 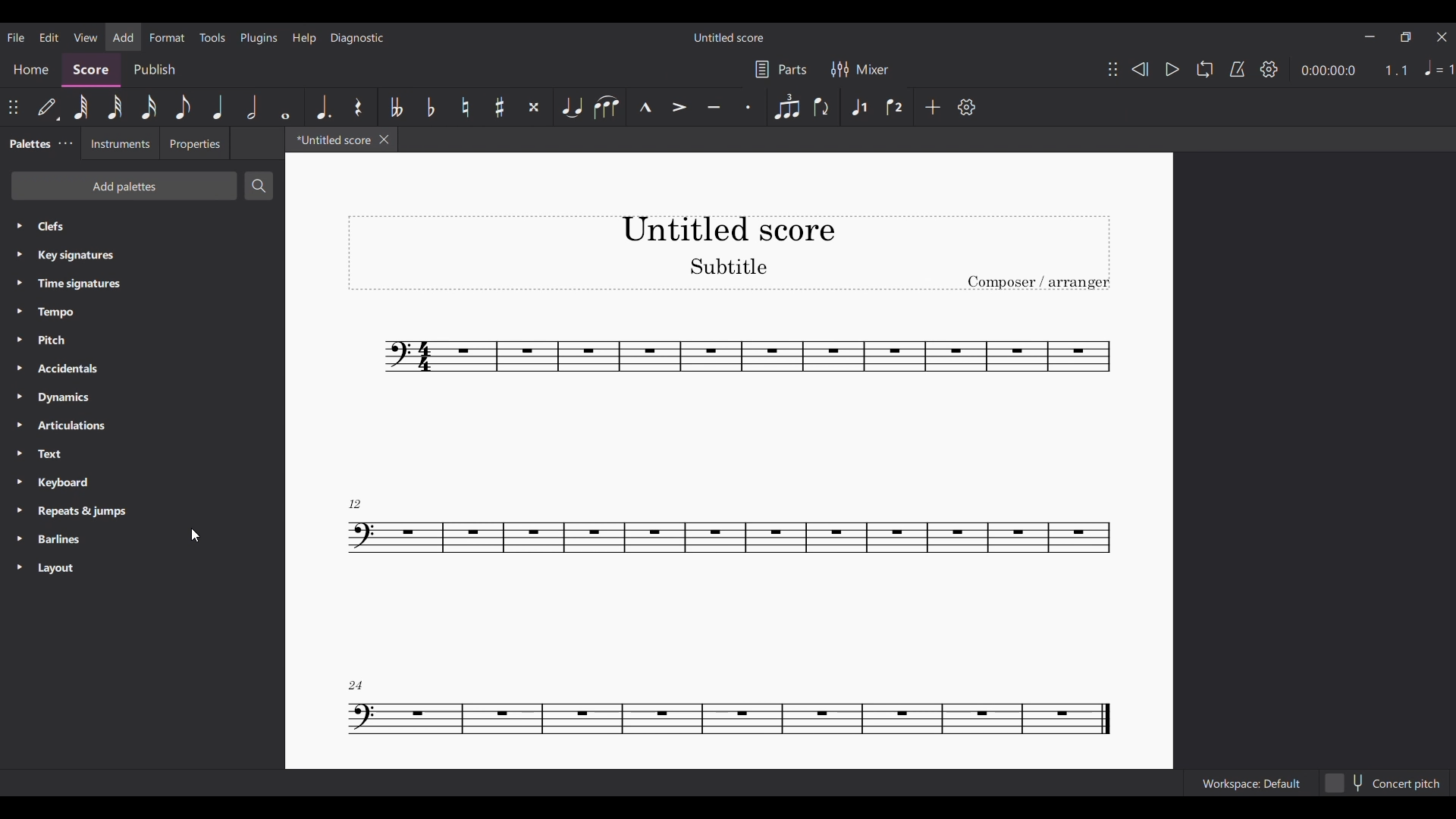 What do you see at coordinates (28, 70) in the screenshot?
I see `Home` at bounding box center [28, 70].